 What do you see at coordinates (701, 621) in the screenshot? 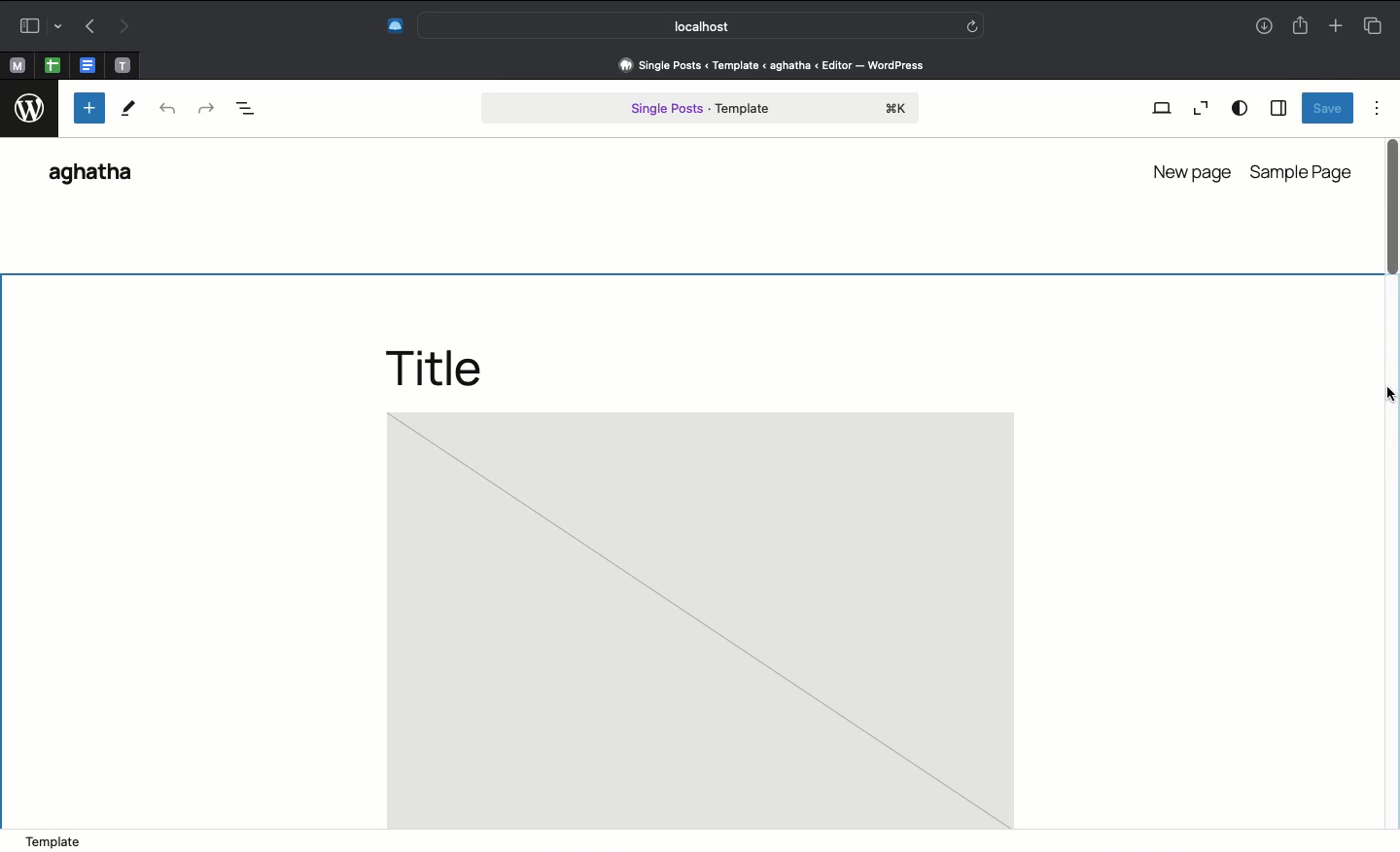
I see `Image` at bounding box center [701, 621].